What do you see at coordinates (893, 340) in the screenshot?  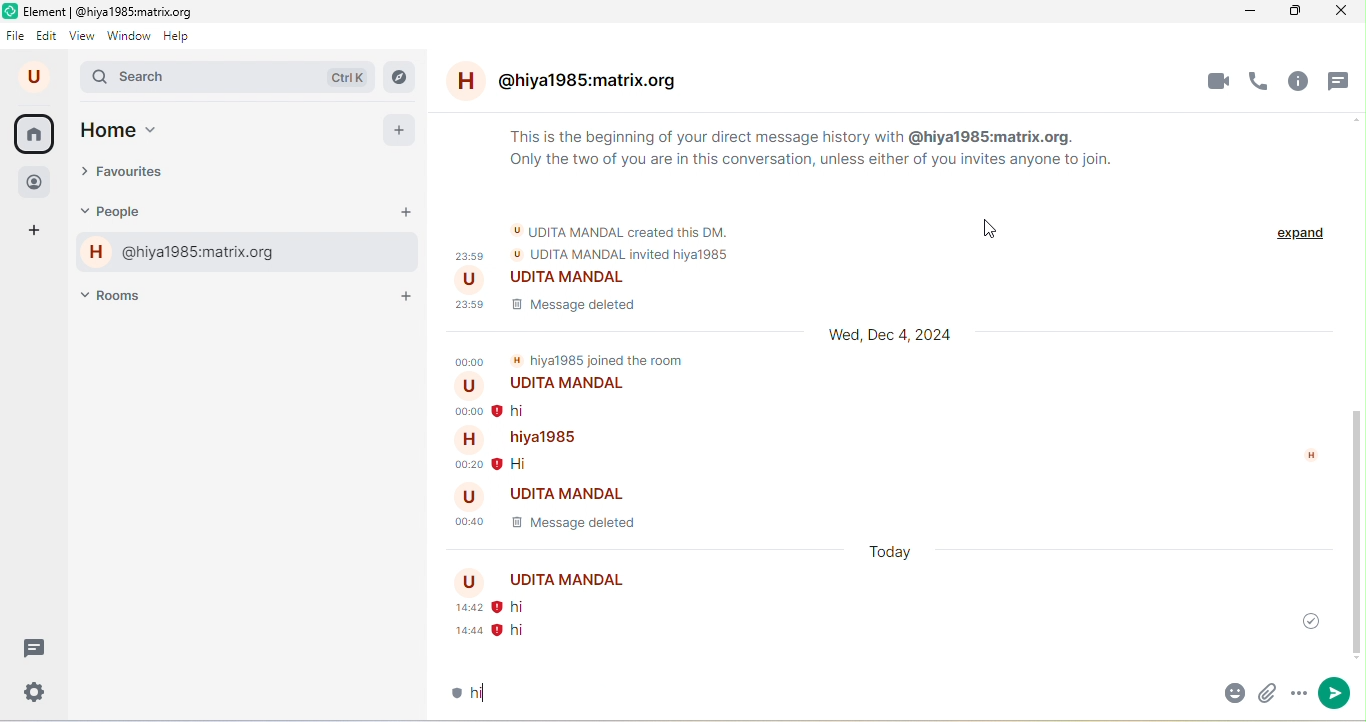 I see `wed,dec 4,2024` at bounding box center [893, 340].